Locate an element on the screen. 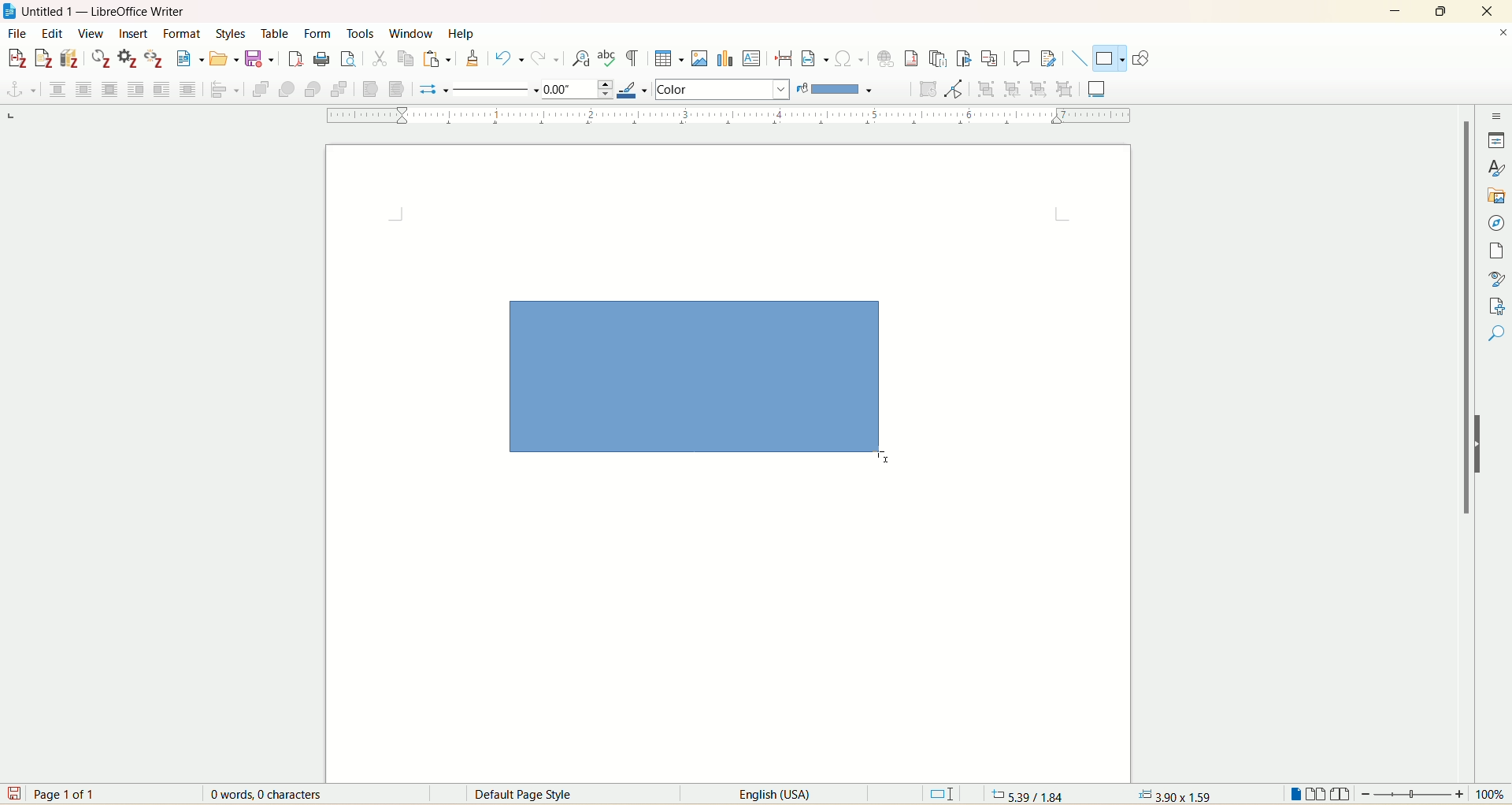 The height and width of the screenshot is (805, 1512). rectangle shape is located at coordinates (710, 388).